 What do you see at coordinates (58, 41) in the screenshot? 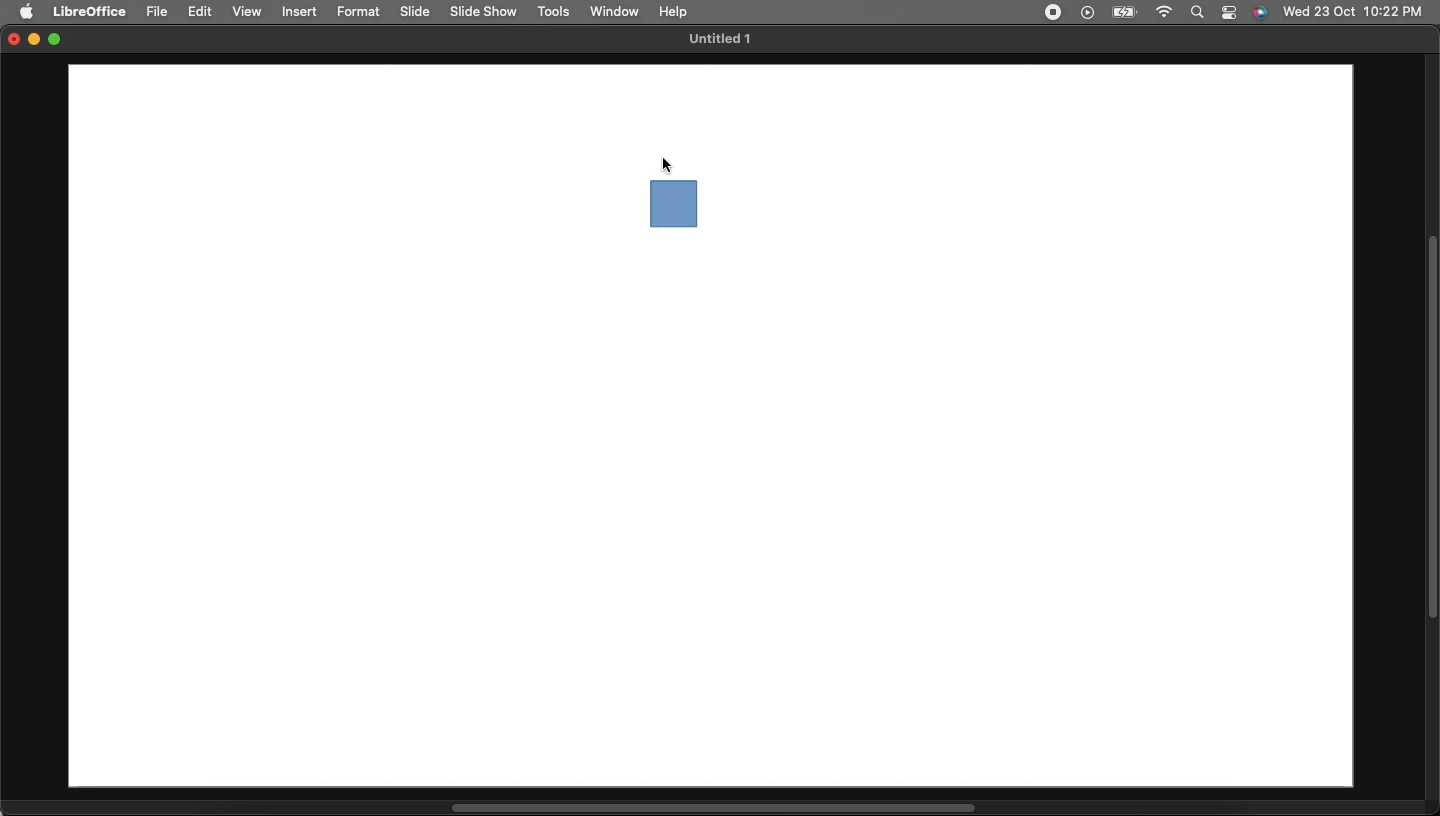
I see `Maximize` at bounding box center [58, 41].